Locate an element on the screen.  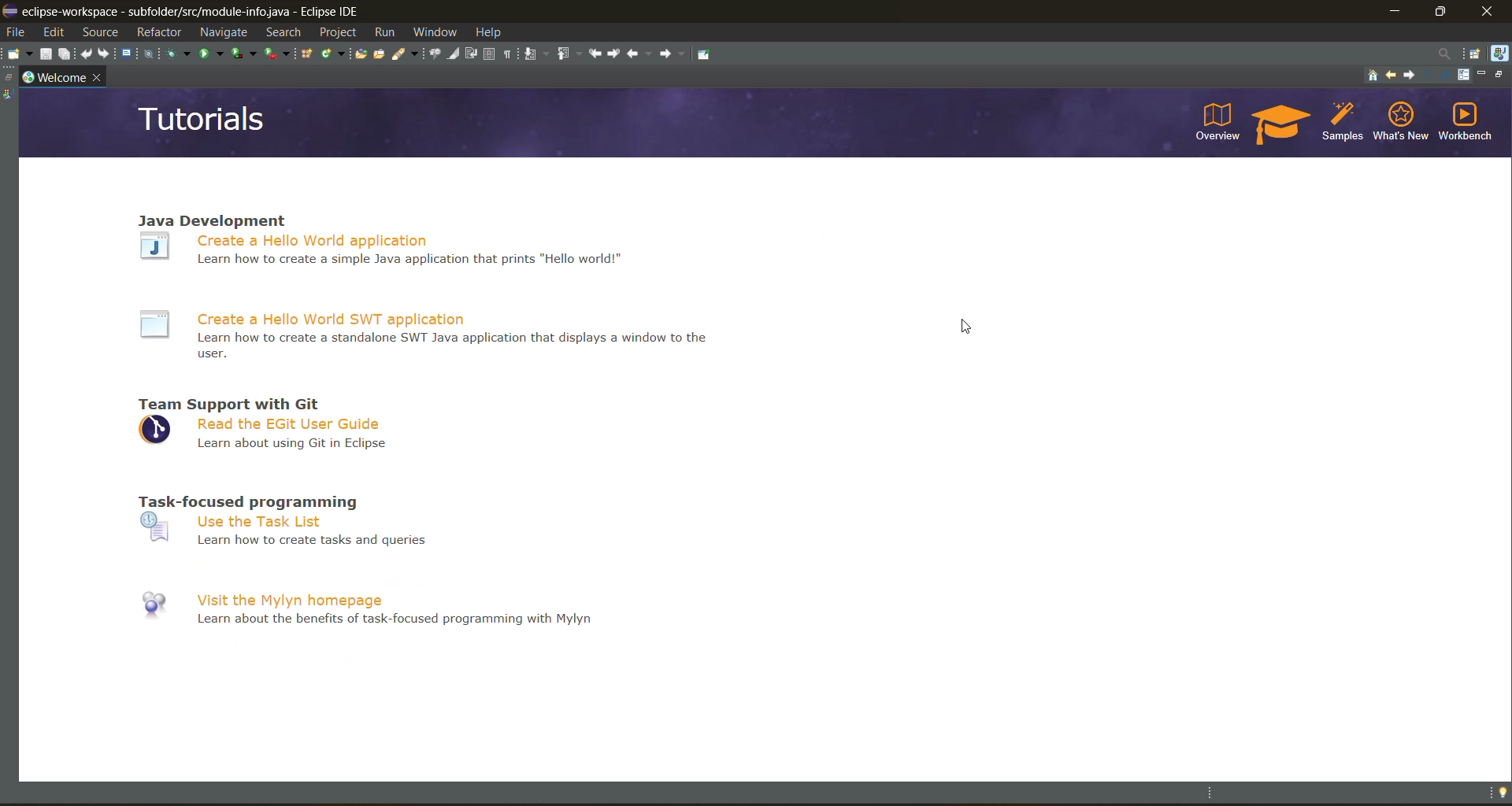
source is located at coordinates (105, 33).